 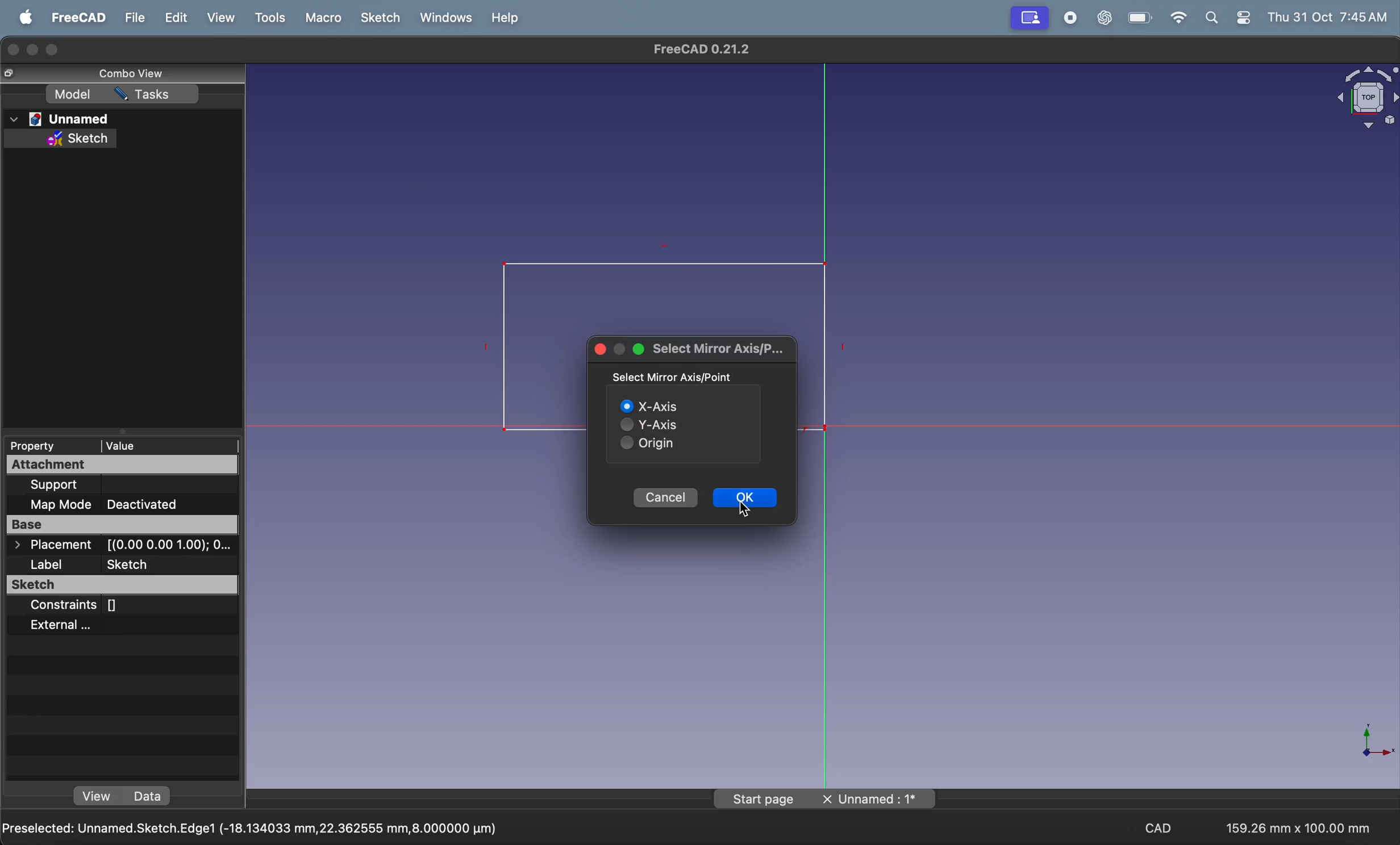 What do you see at coordinates (171, 19) in the screenshot?
I see `edit` at bounding box center [171, 19].